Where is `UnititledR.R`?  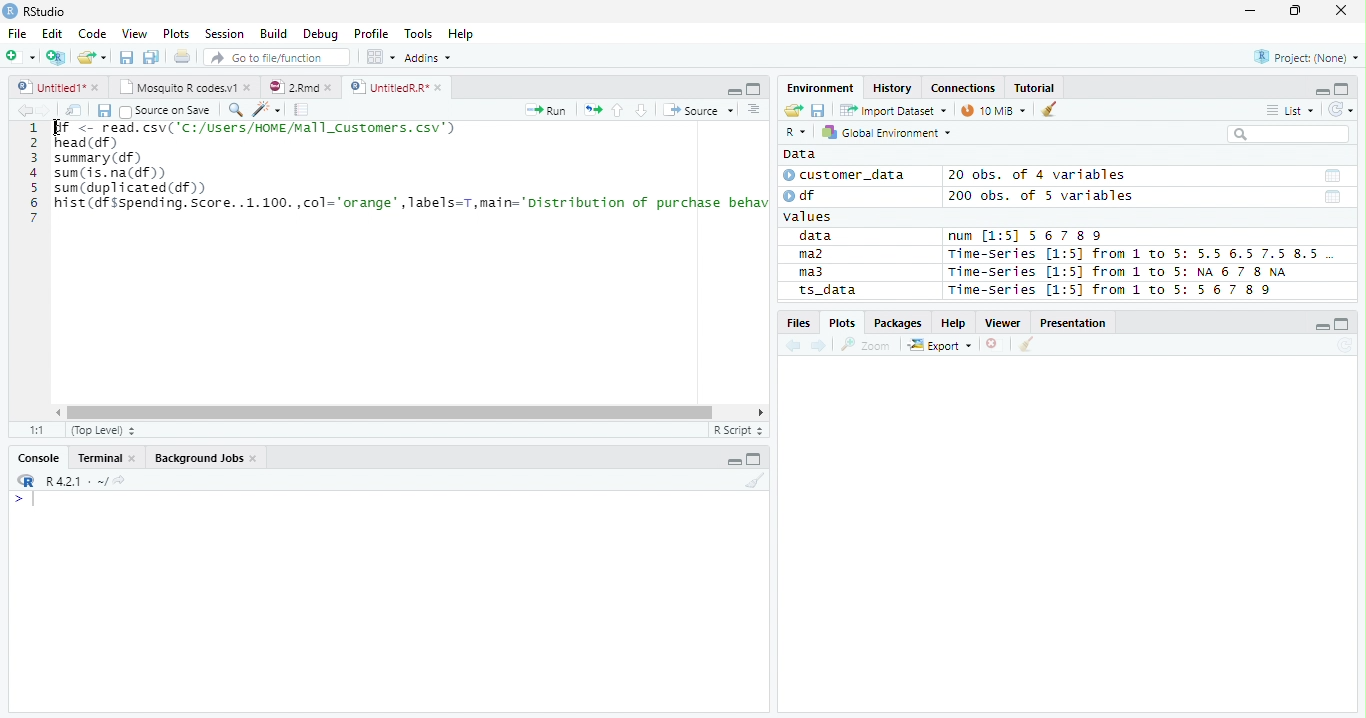 UnititledR.R is located at coordinates (398, 88).